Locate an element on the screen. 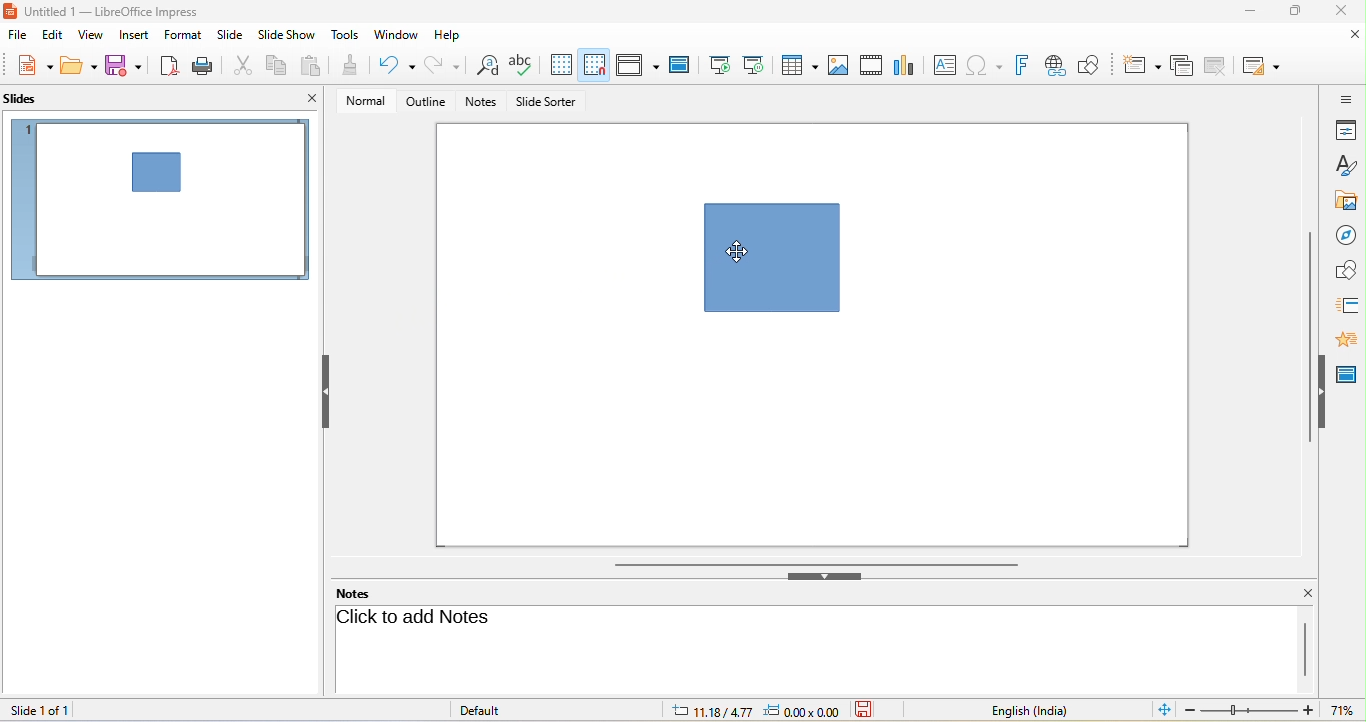  window is located at coordinates (396, 34).